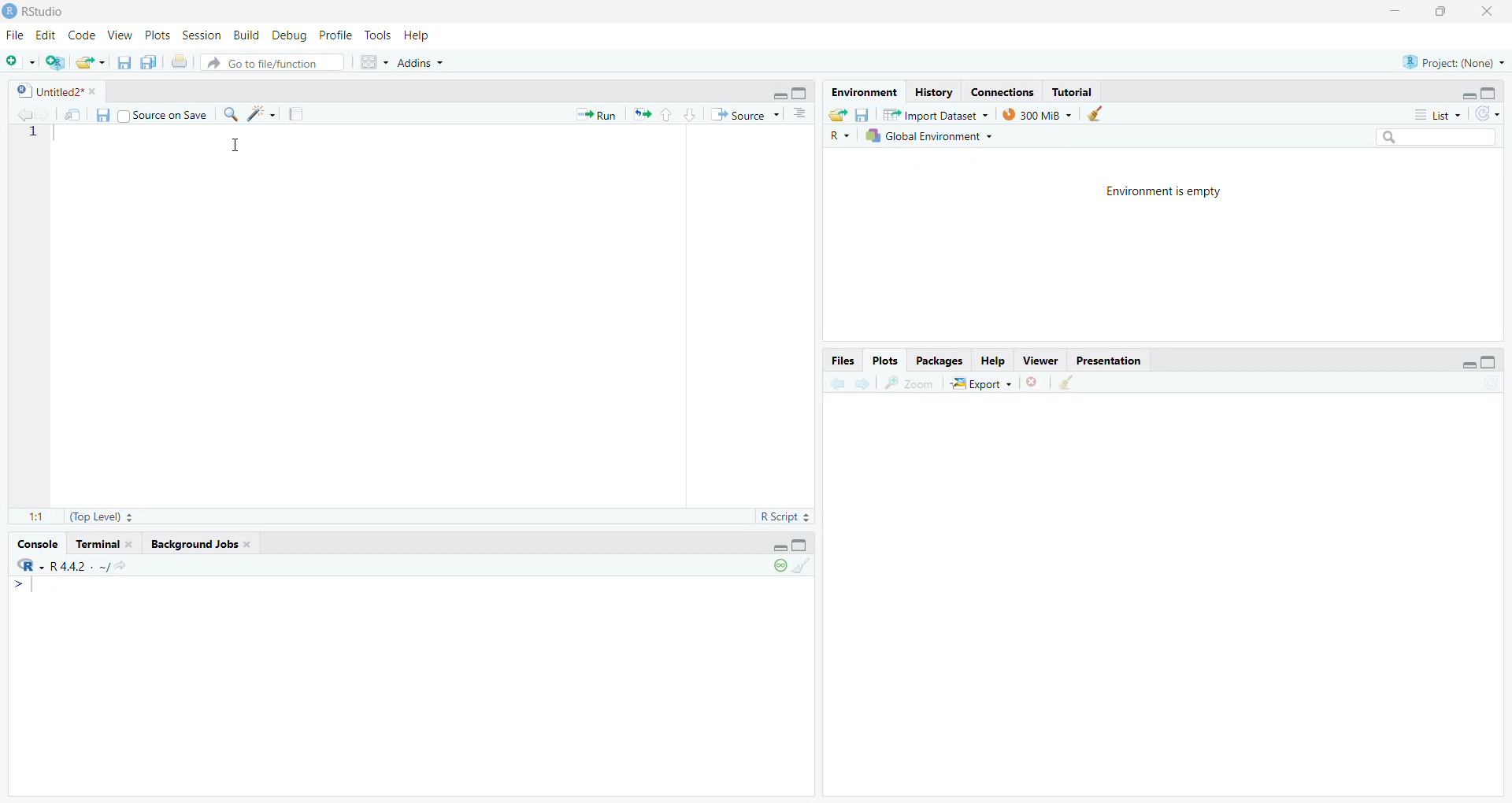 The width and height of the screenshot is (1512, 803). I want to click on go back to the previous source location, so click(21, 116).